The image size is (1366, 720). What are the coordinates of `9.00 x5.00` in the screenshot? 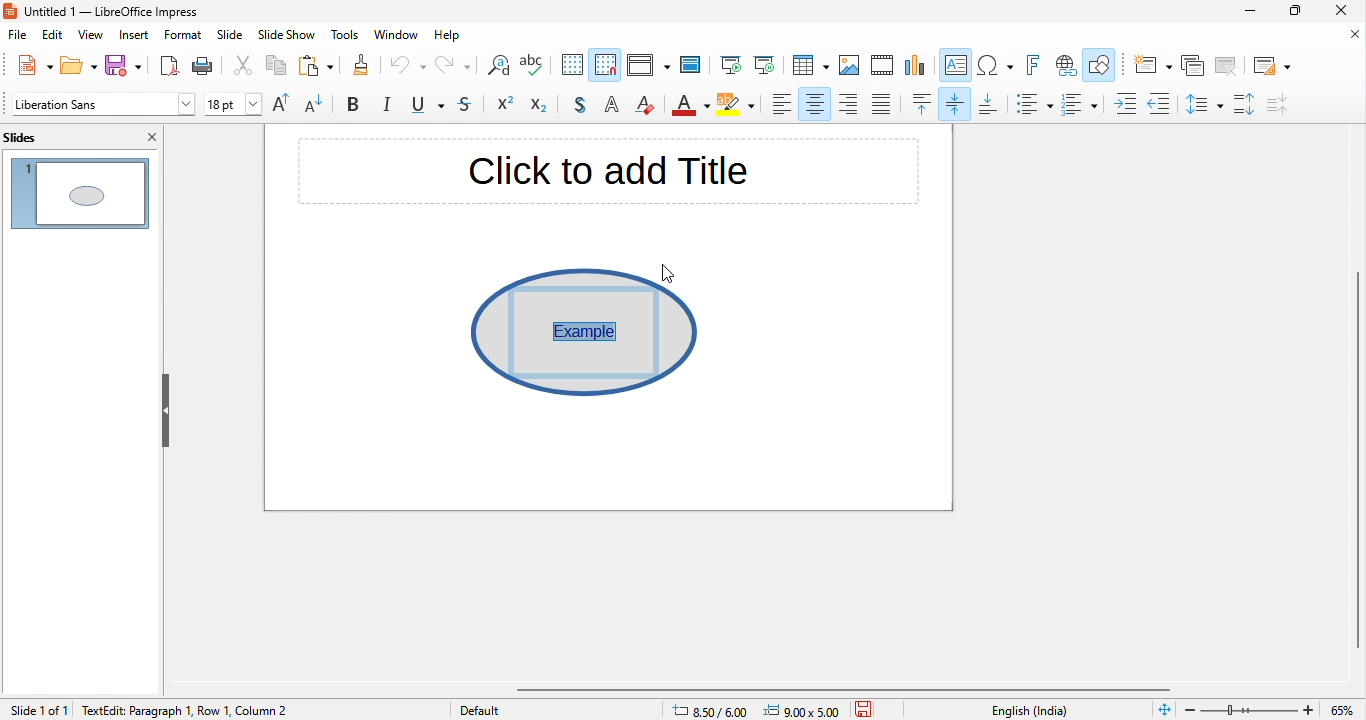 It's located at (805, 709).